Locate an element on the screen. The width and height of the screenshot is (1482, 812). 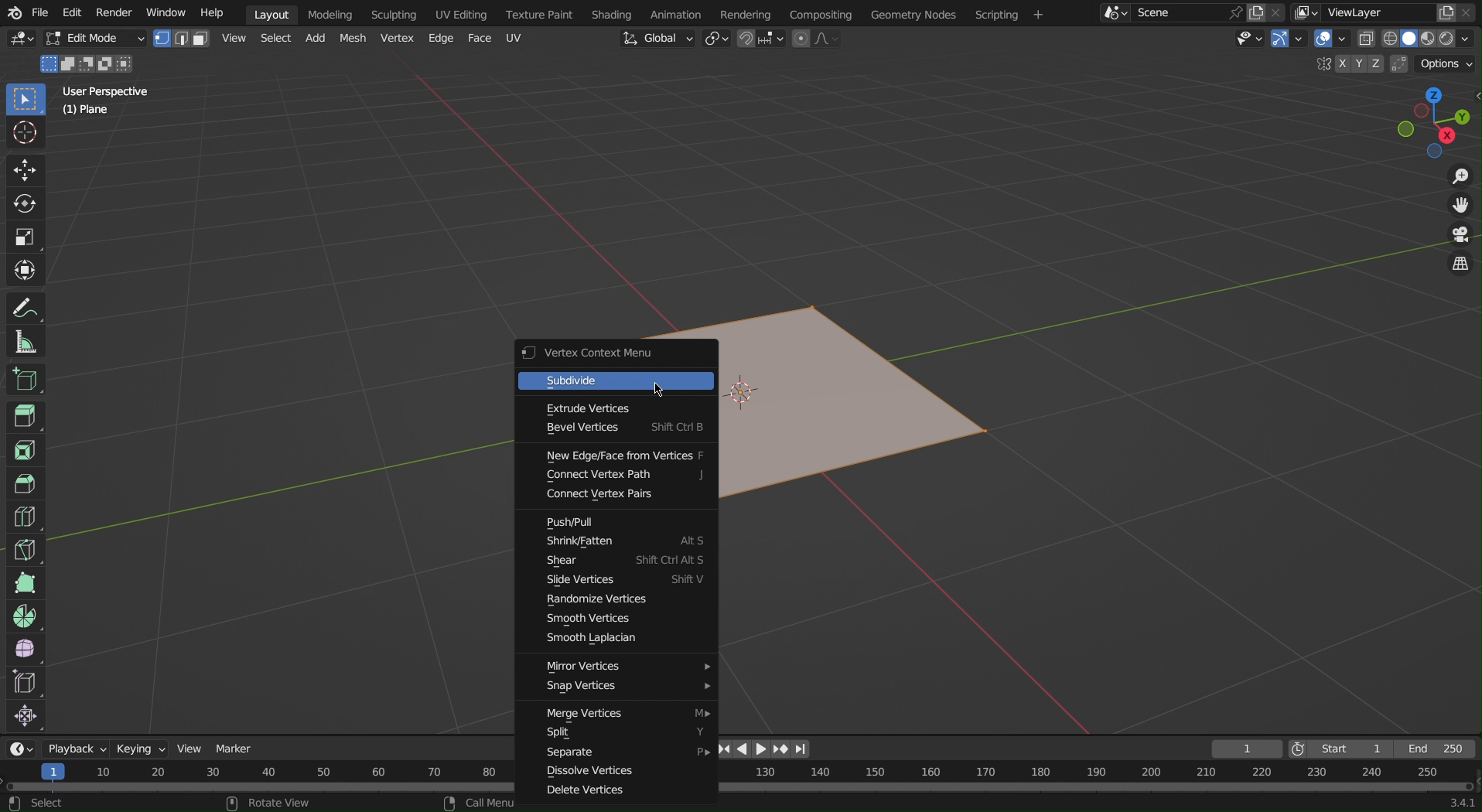
Transform Pivot Point is located at coordinates (716, 40).